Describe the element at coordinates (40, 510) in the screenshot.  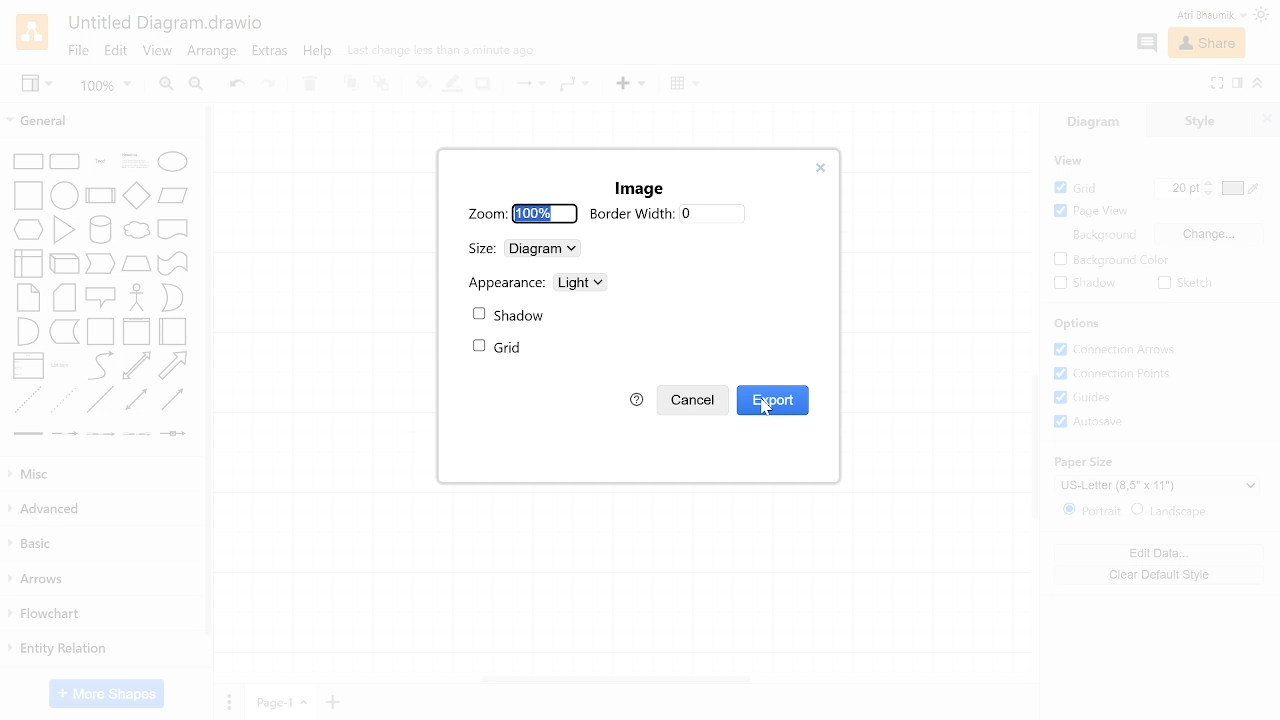
I see `Advanced` at that location.